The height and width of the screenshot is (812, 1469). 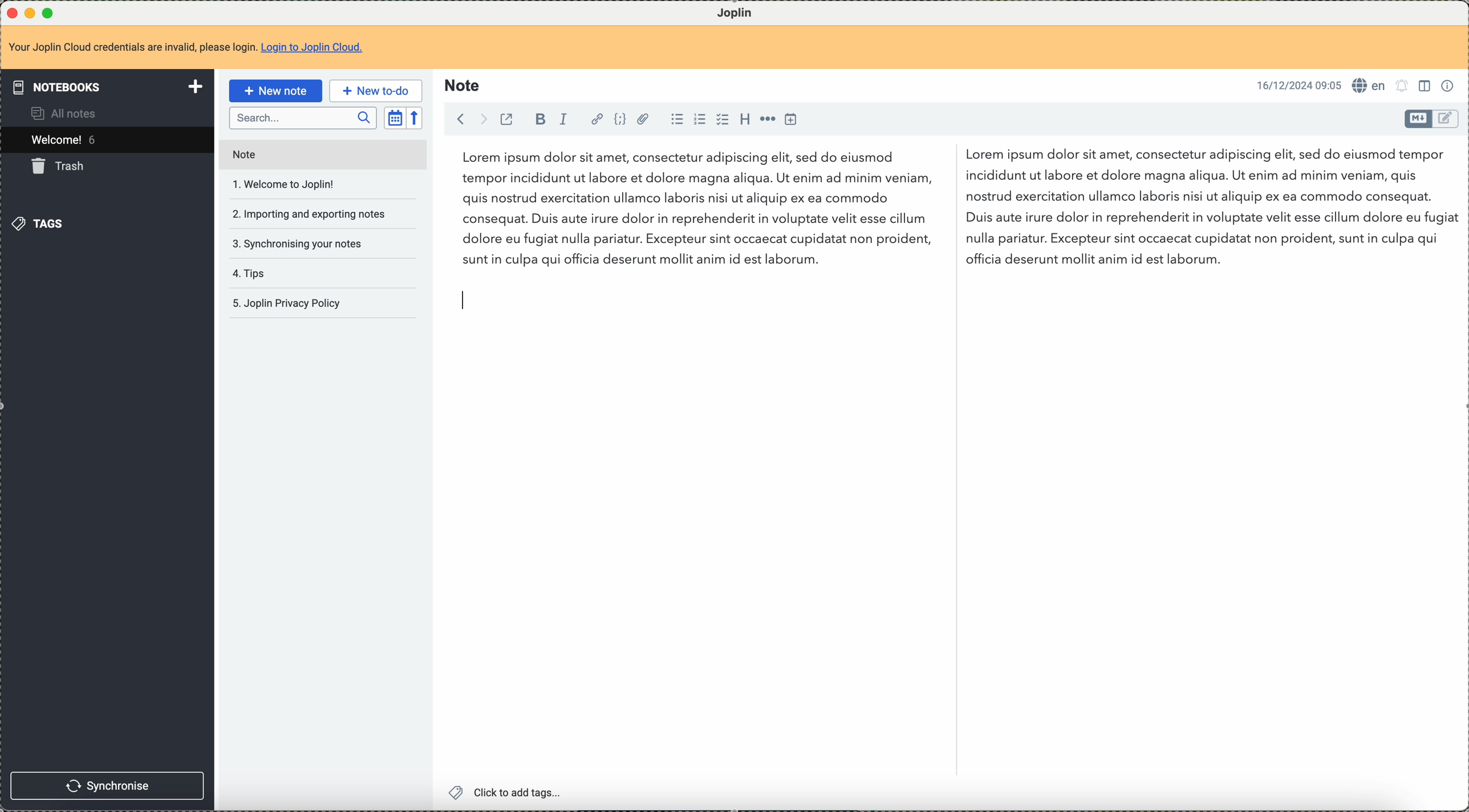 What do you see at coordinates (1447, 120) in the screenshot?
I see `toggle editor` at bounding box center [1447, 120].